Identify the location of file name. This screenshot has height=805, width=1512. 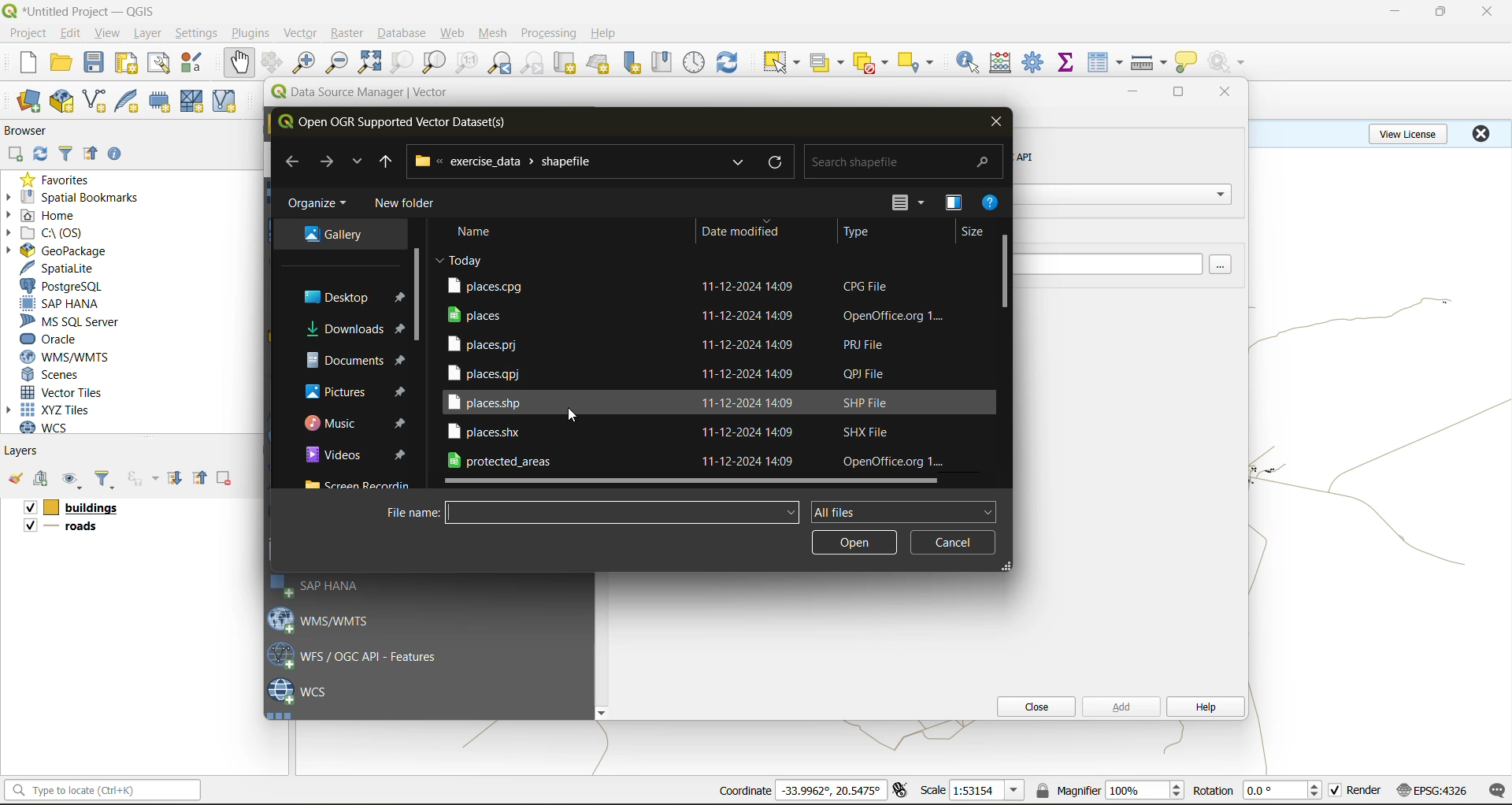
(624, 514).